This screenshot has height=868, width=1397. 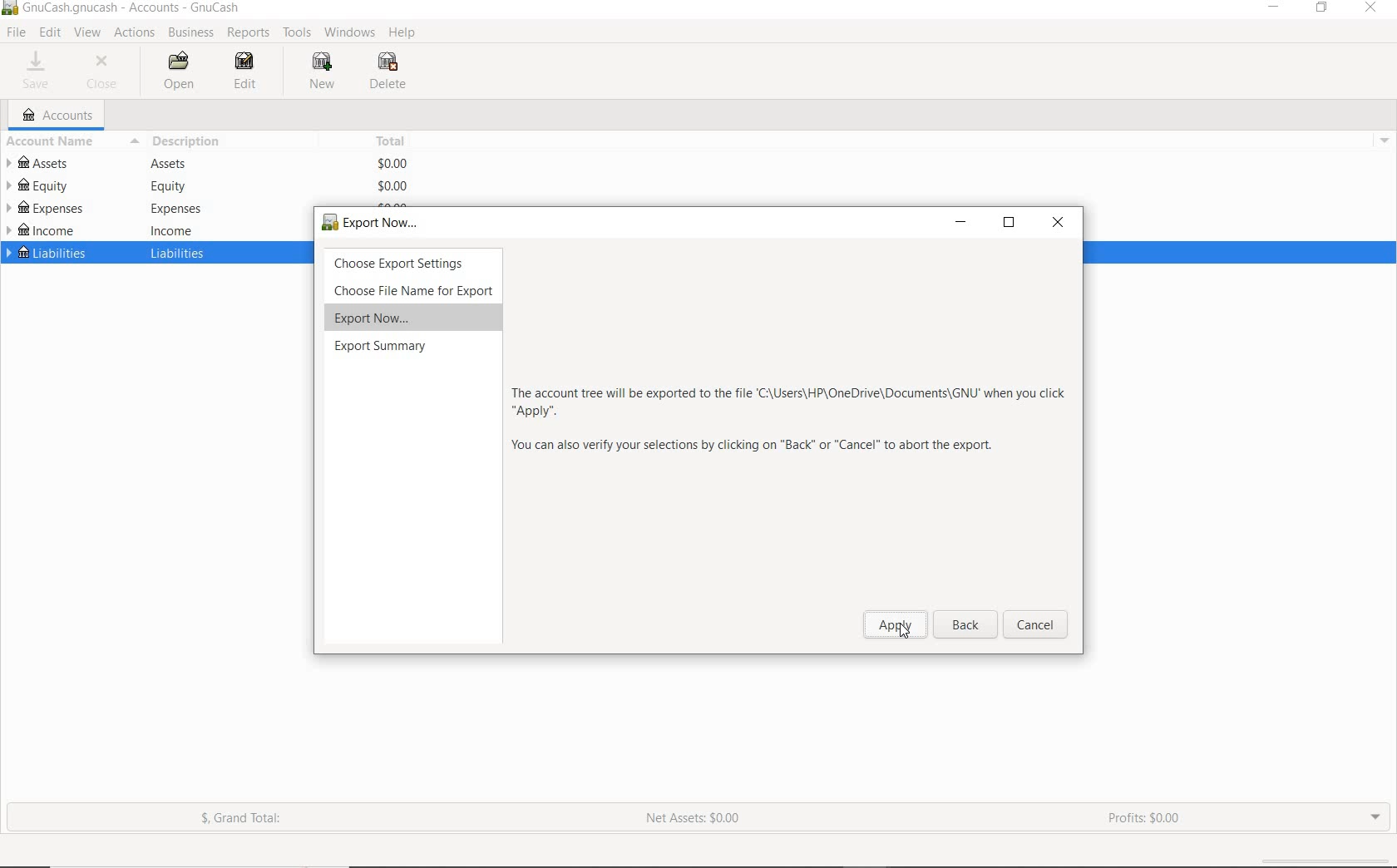 What do you see at coordinates (126, 9) in the screenshot?
I see `SYSTEM NAME` at bounding box center [126, 9].